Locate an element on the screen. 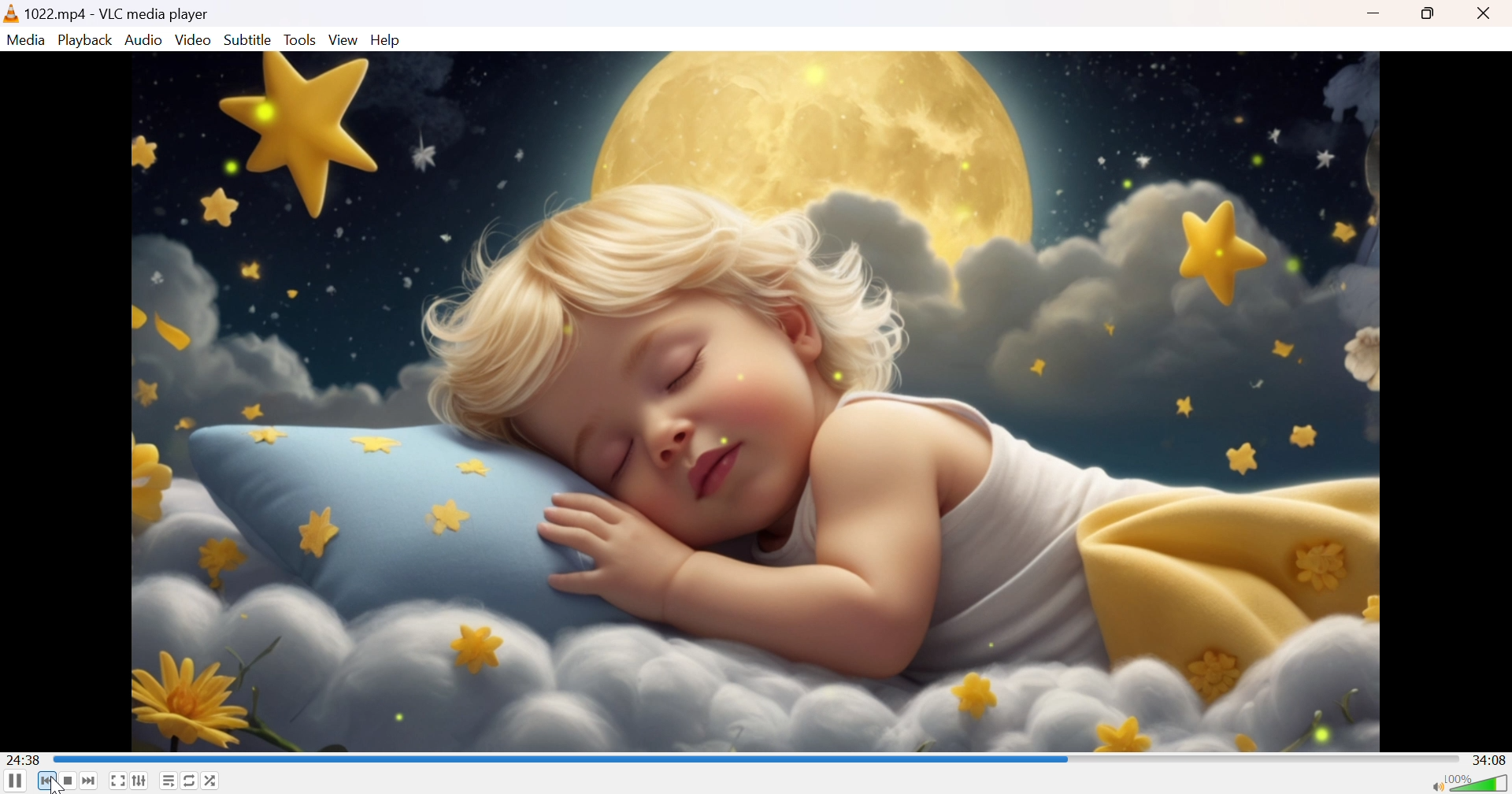  Random is located at coordinates (213, 780).